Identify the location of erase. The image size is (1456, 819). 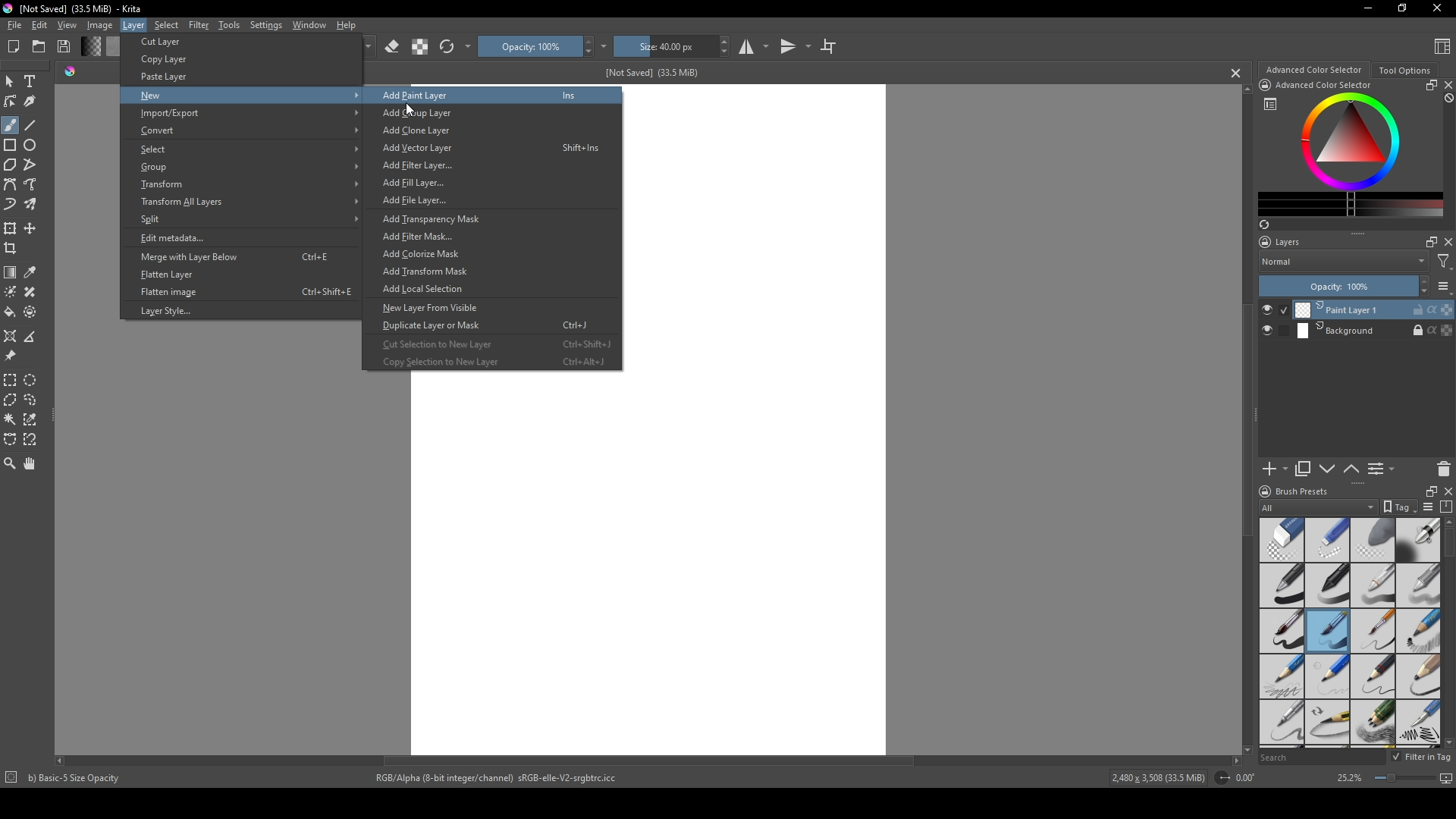
(393, 47).